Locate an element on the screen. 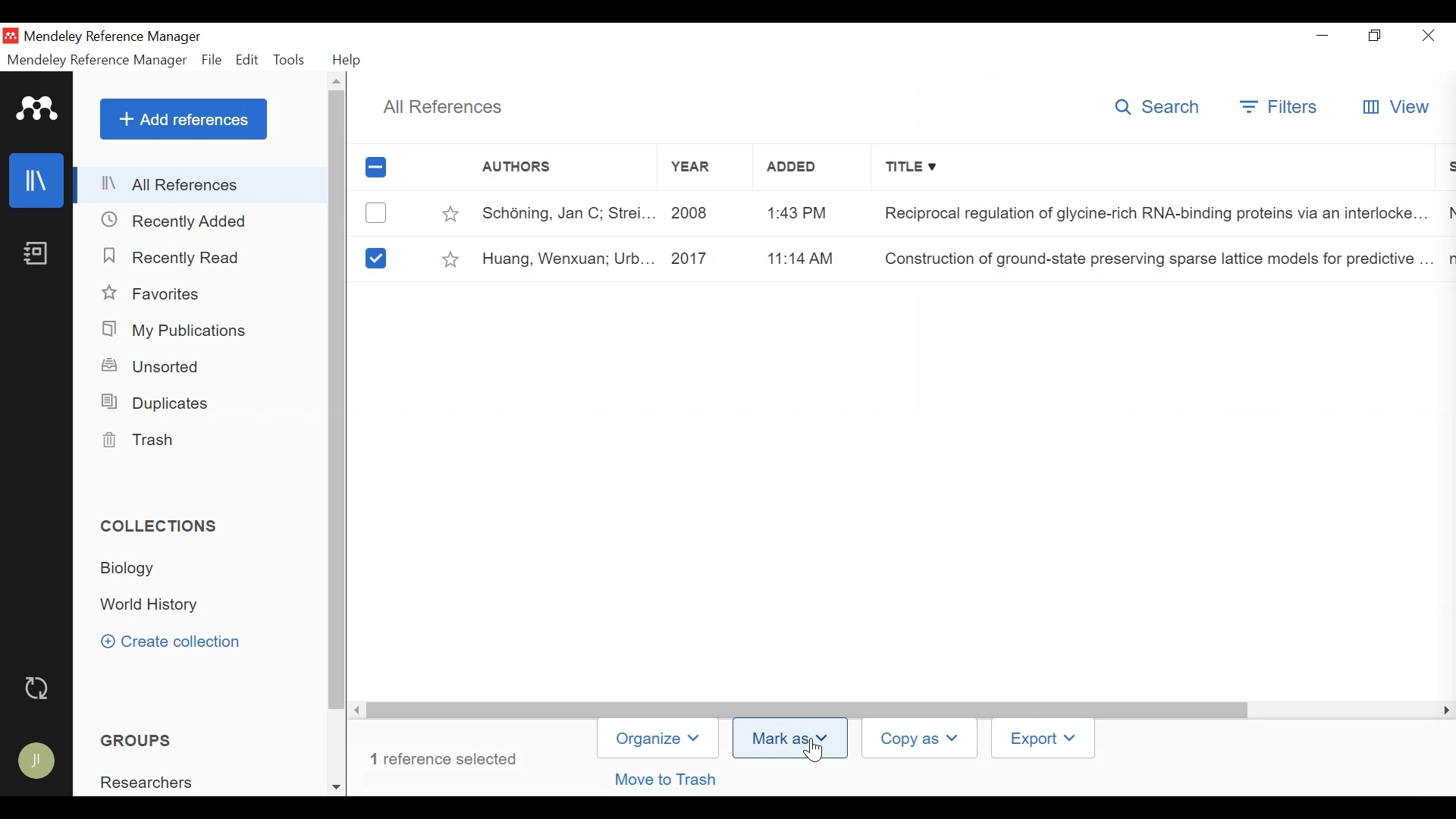  Unsorted is located at coordinates (157, 367).